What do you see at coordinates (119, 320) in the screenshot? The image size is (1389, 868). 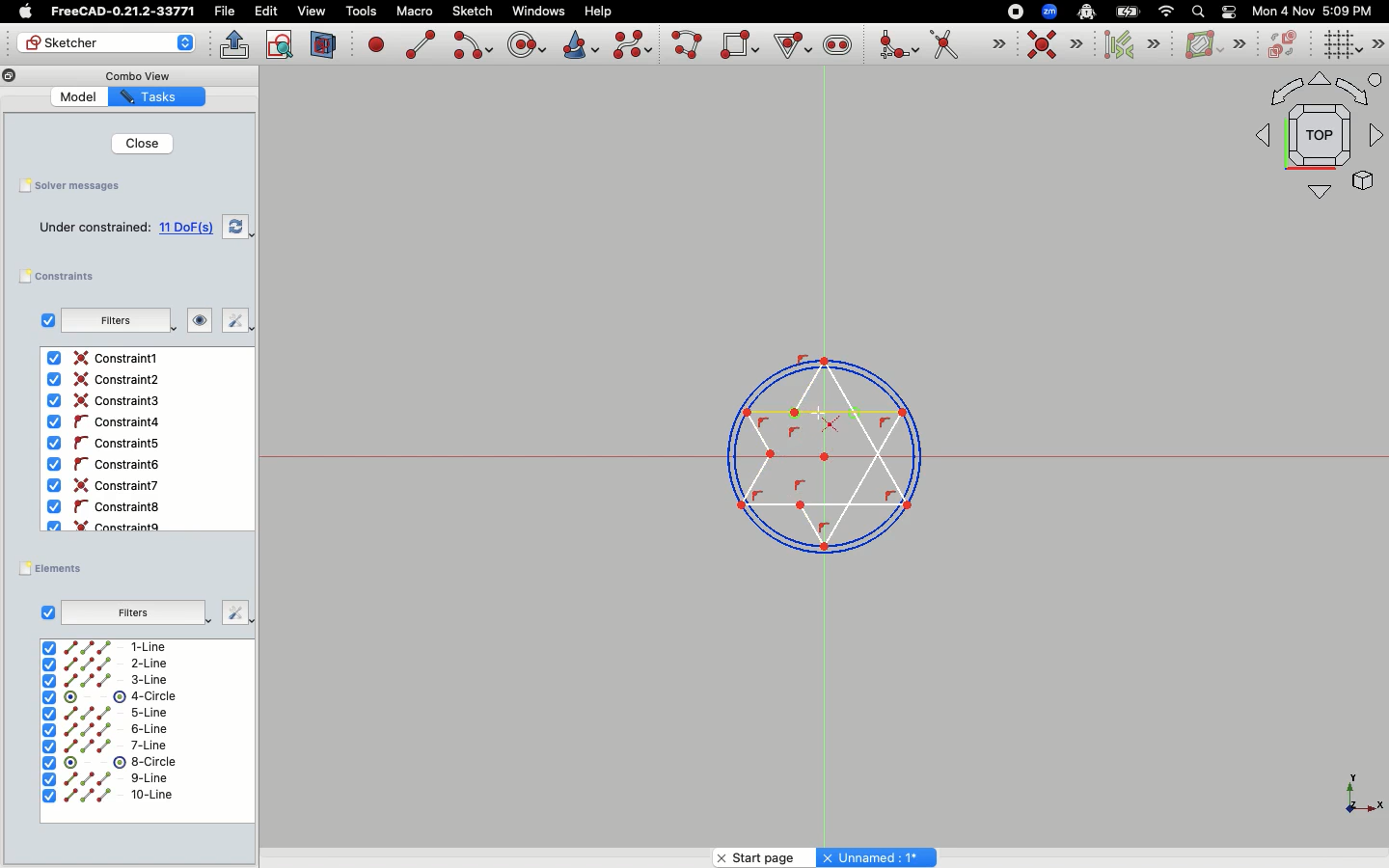 I see `Filters` at bounding box center [119, 320].